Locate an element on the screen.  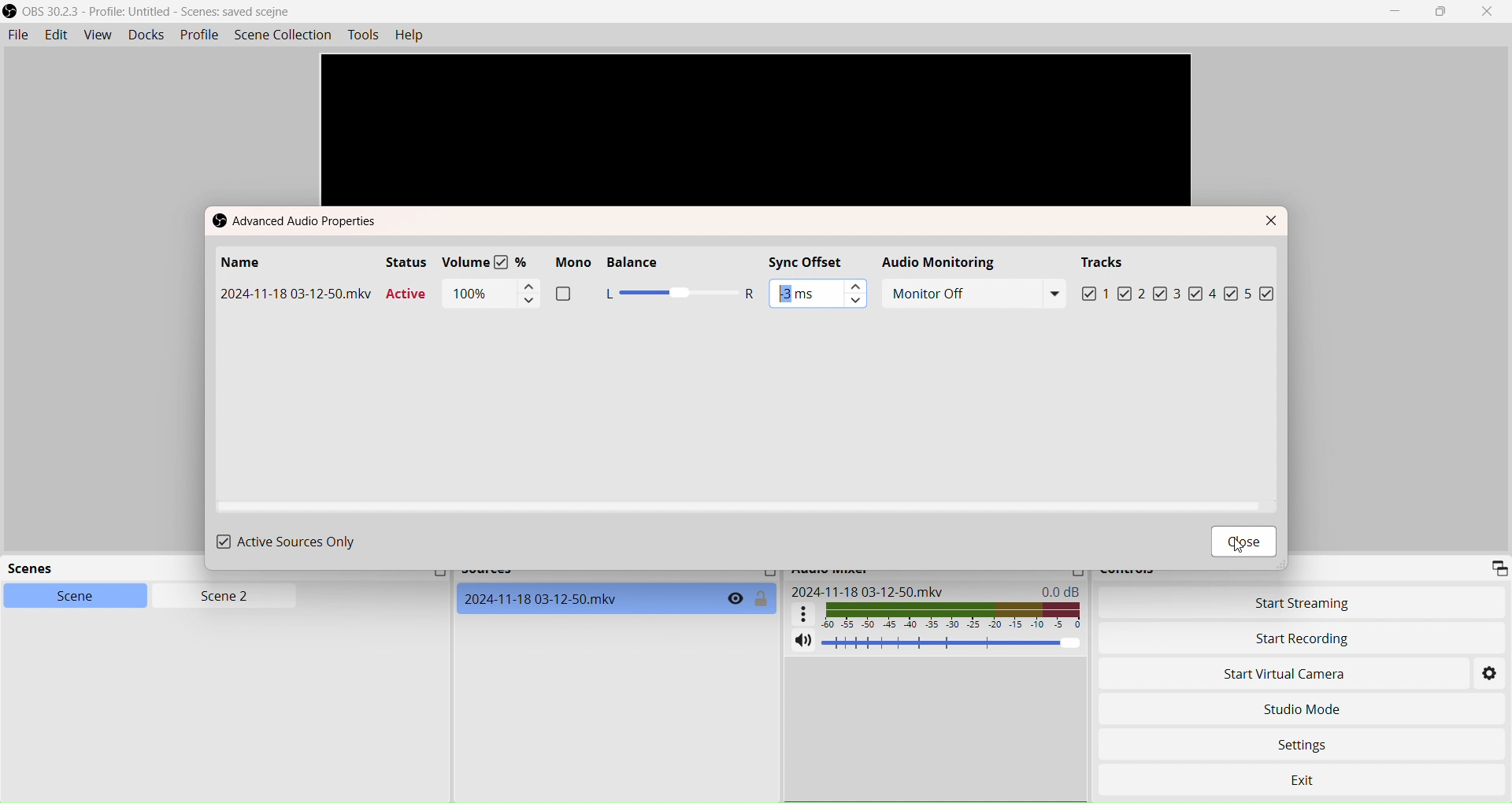
Exit is located at coordinates (1321, 775).